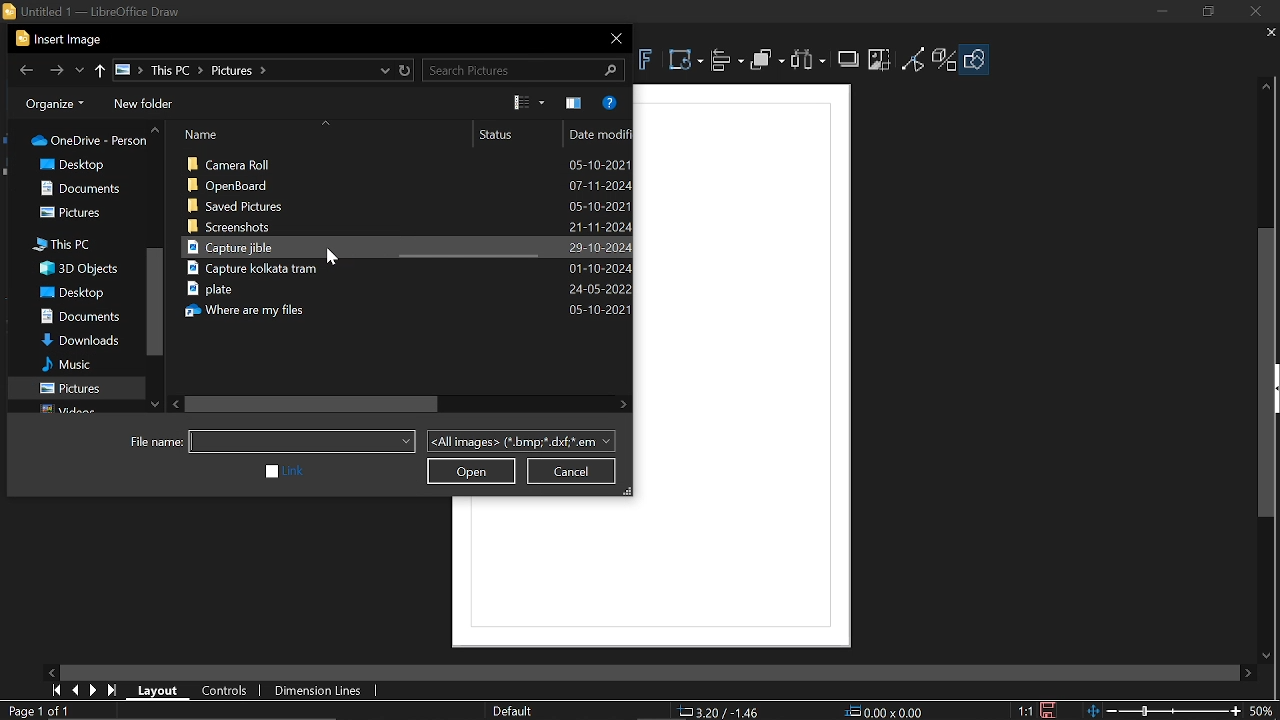 The width and height of the screenshot is (1280, 720). Describe the element at coordinates (511, 712) in the screenshot. I see `Slide master name` at that location.